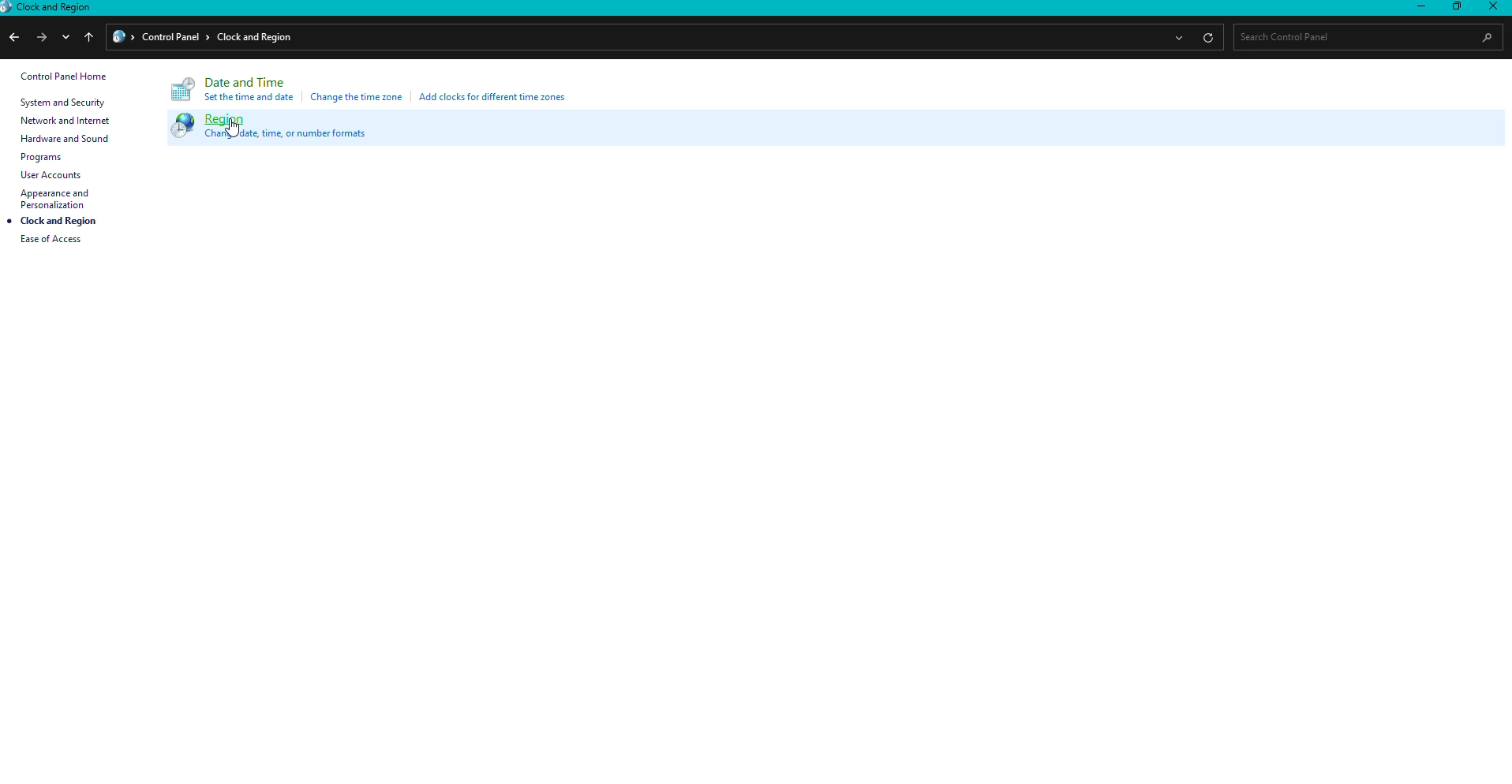 This screenshot has width=1512, height=784. I want to click on Control panel home, so click(64, 77).